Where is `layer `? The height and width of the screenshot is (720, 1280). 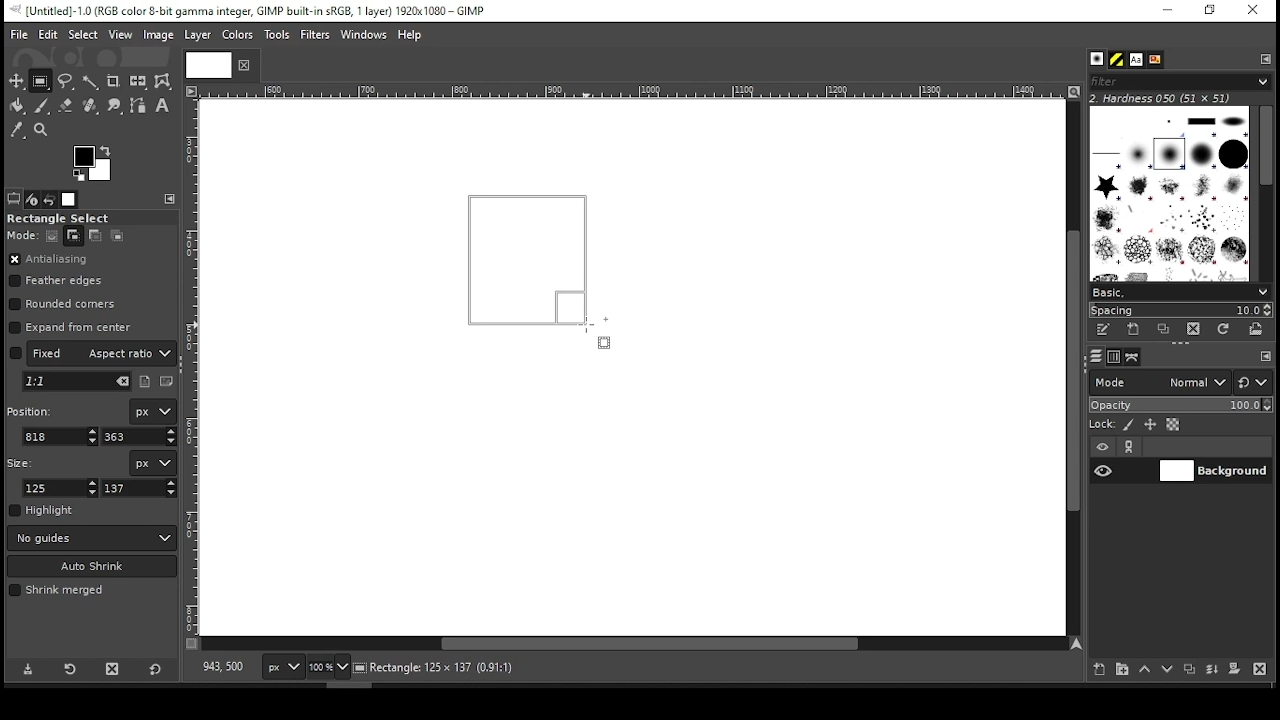 layer  is located at coordinates (1213, 471).